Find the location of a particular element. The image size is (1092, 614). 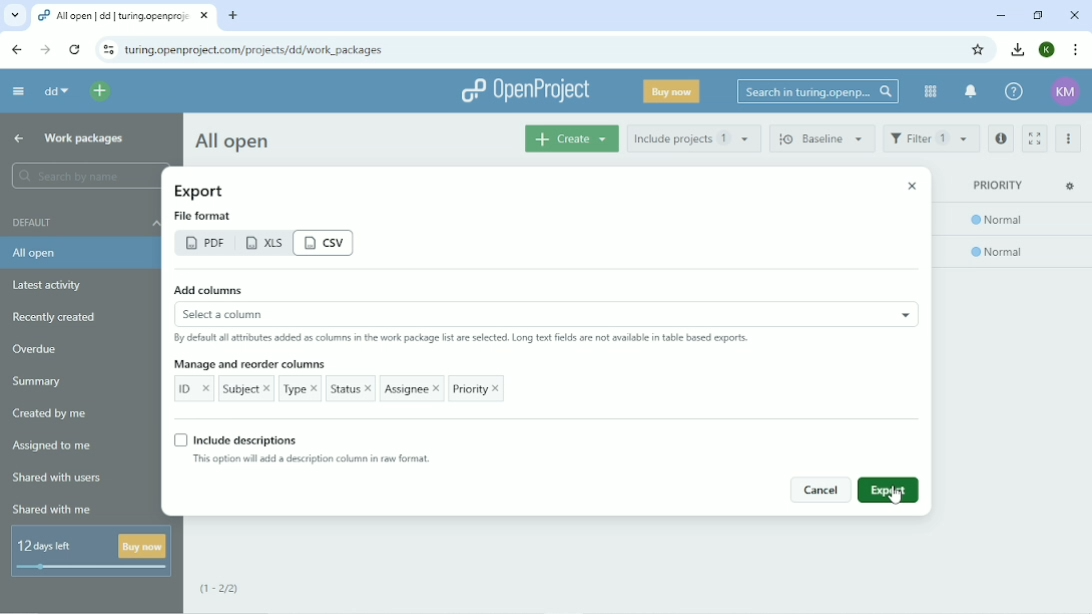

Shared with users is located at coordinates (58, 480).